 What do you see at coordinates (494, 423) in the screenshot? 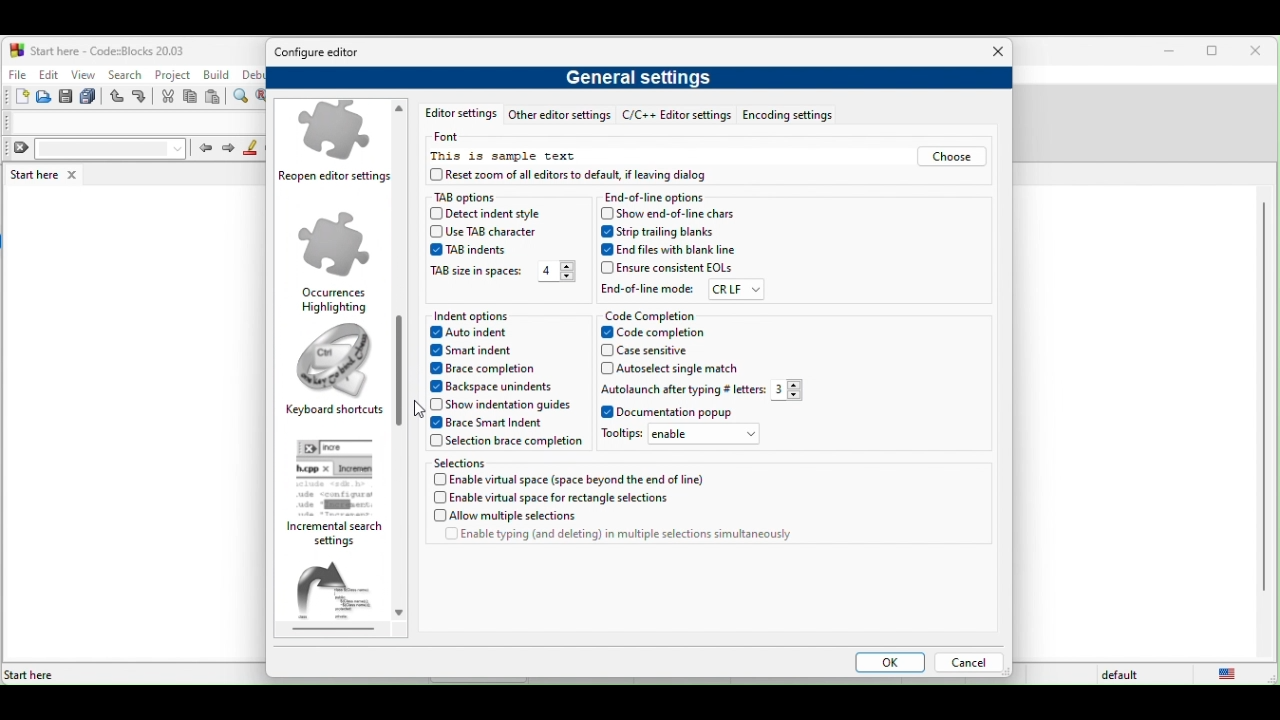
I see `brace smart indent` at bounding box center [494, 423].